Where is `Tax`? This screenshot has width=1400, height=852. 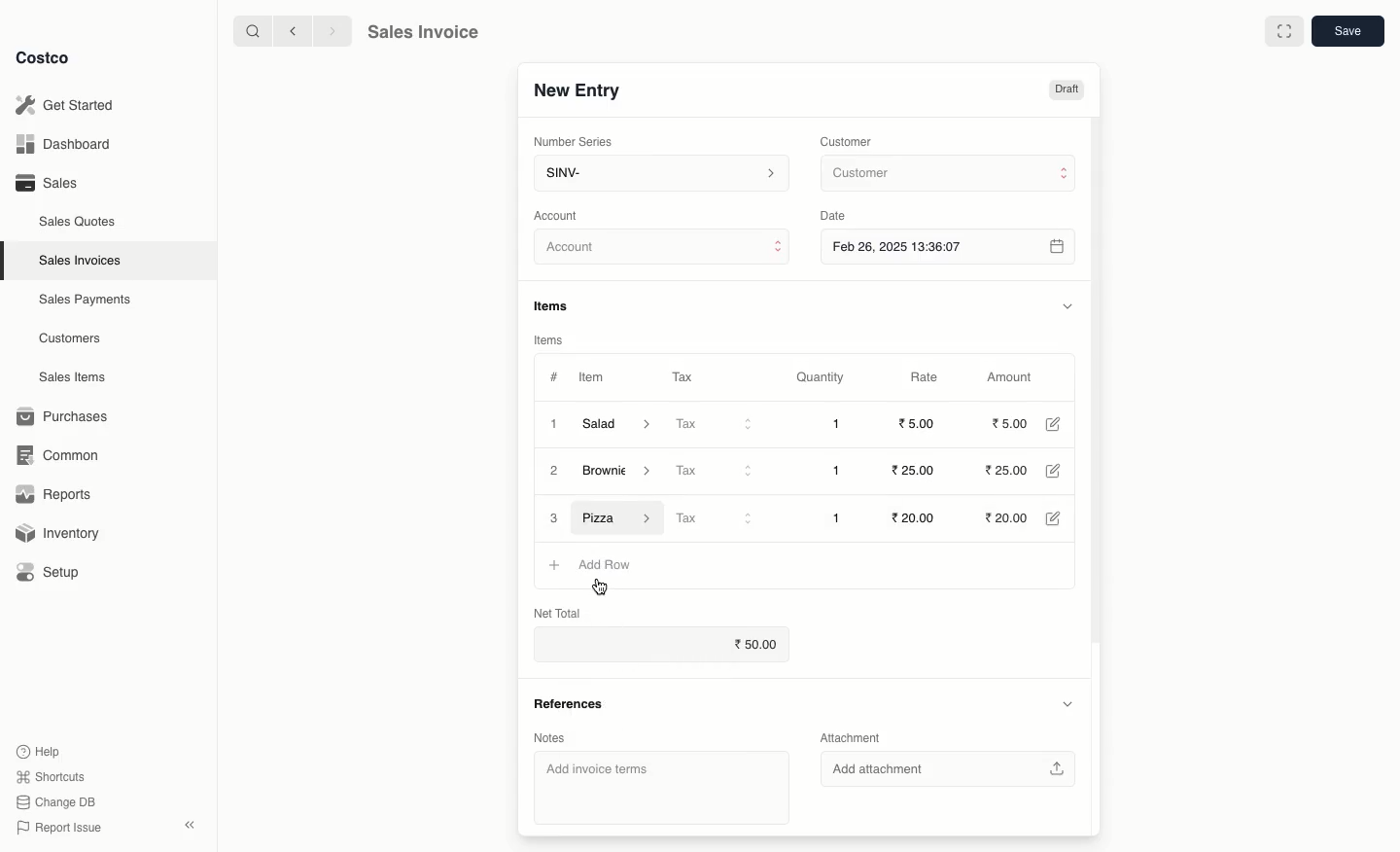 Tax is located at coordinates (716, 518).